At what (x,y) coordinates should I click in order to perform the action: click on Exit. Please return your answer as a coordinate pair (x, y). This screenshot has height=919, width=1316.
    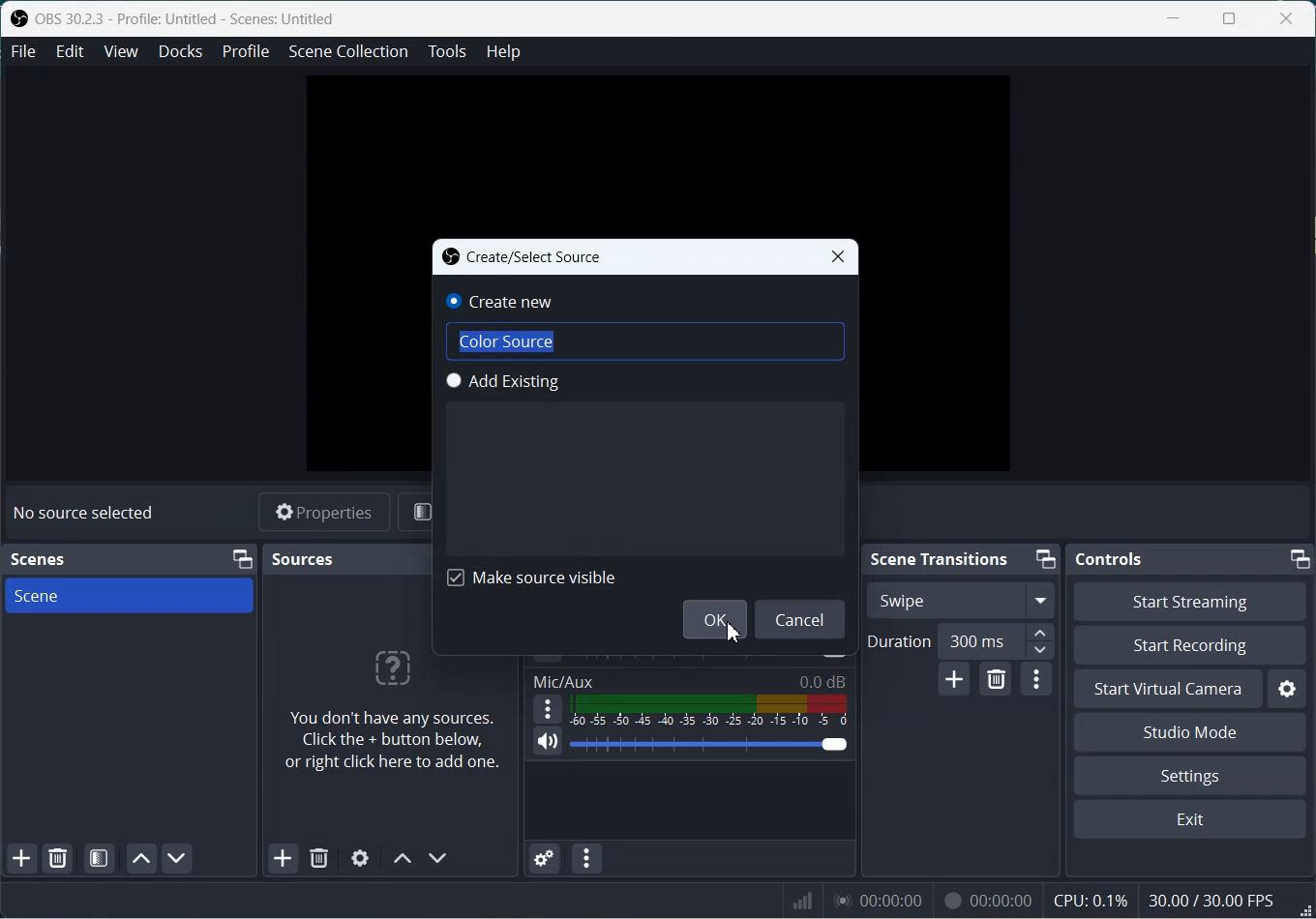
    Looking at the image, I should click on (1189, 819).